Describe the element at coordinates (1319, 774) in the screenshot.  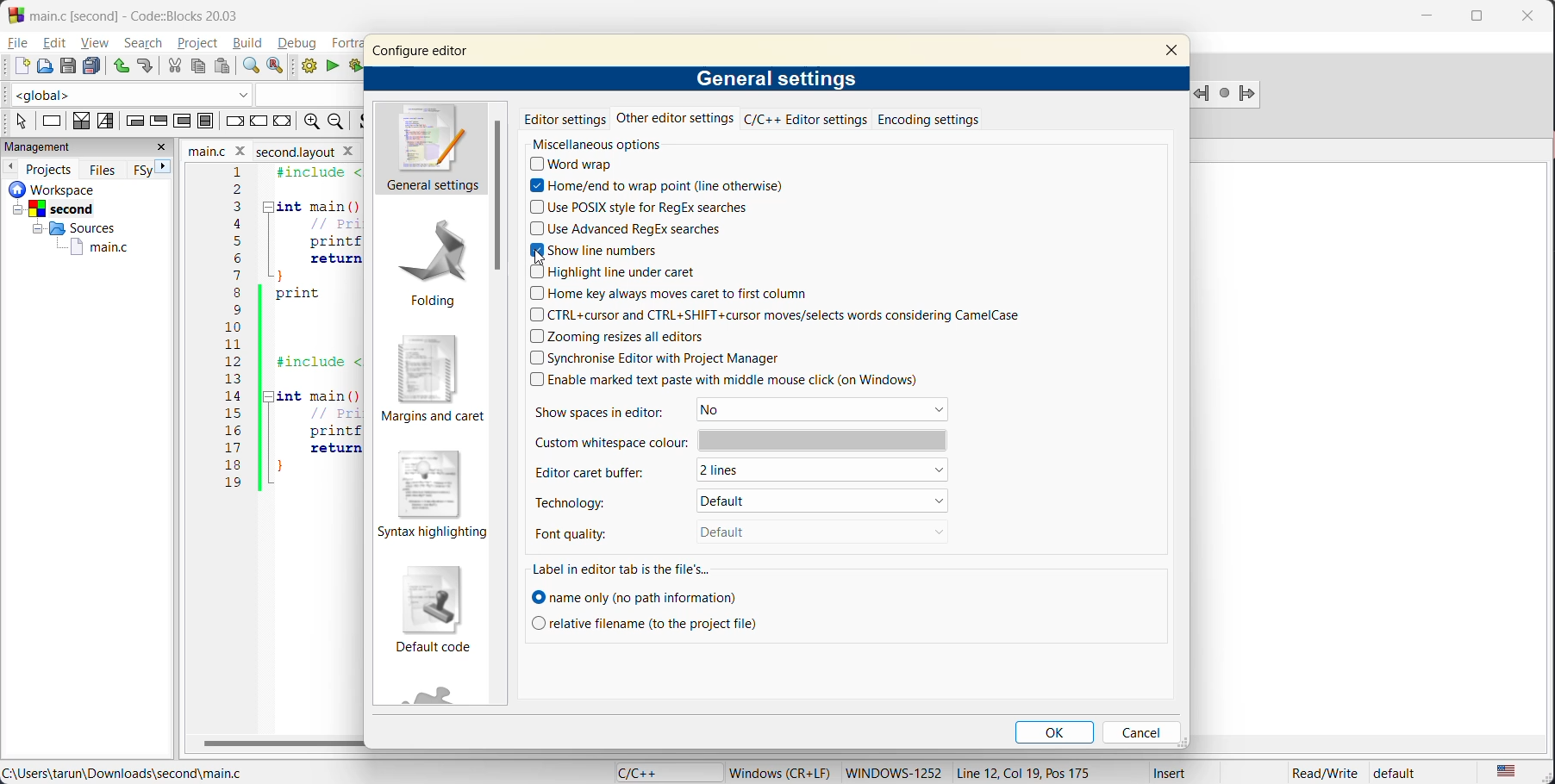
I see `Read/Write` at that location.